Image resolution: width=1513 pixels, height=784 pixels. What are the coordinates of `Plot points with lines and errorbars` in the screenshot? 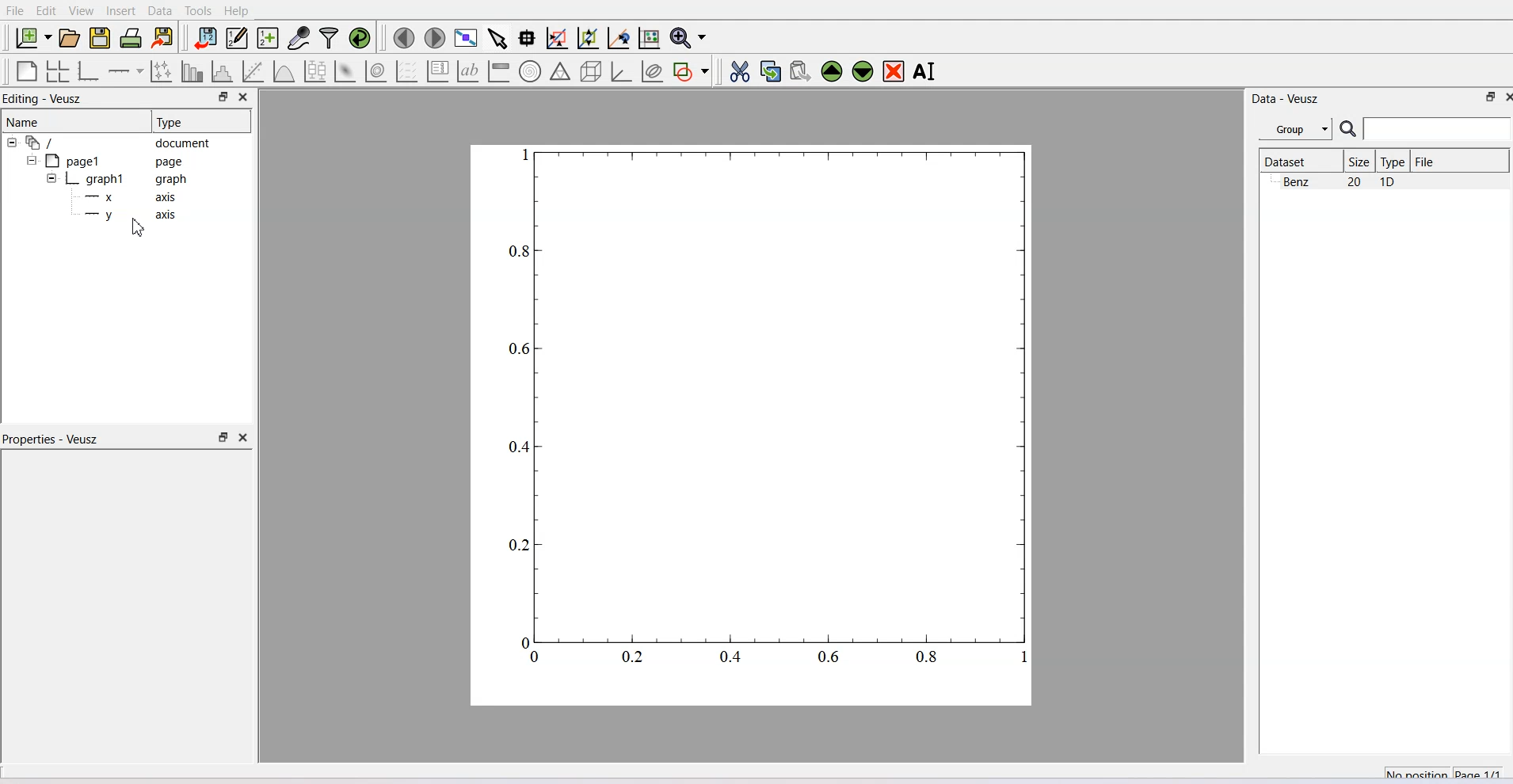 It's located at (162, 71).